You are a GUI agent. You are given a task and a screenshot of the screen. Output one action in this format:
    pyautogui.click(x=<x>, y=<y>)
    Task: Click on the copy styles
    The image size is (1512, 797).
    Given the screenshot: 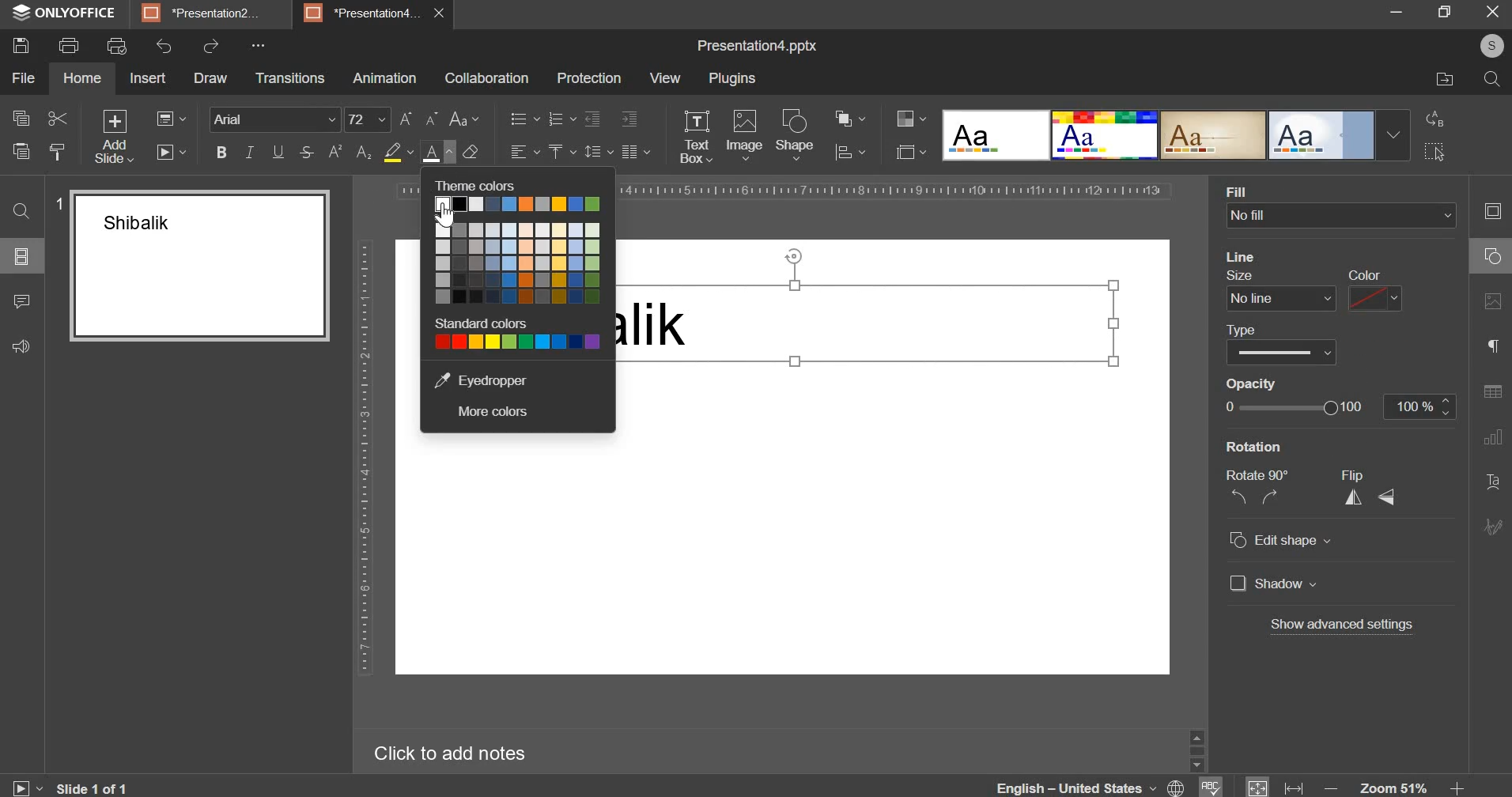 What is the action you would take?
    pyautogui.click(x=58, y=152)
    